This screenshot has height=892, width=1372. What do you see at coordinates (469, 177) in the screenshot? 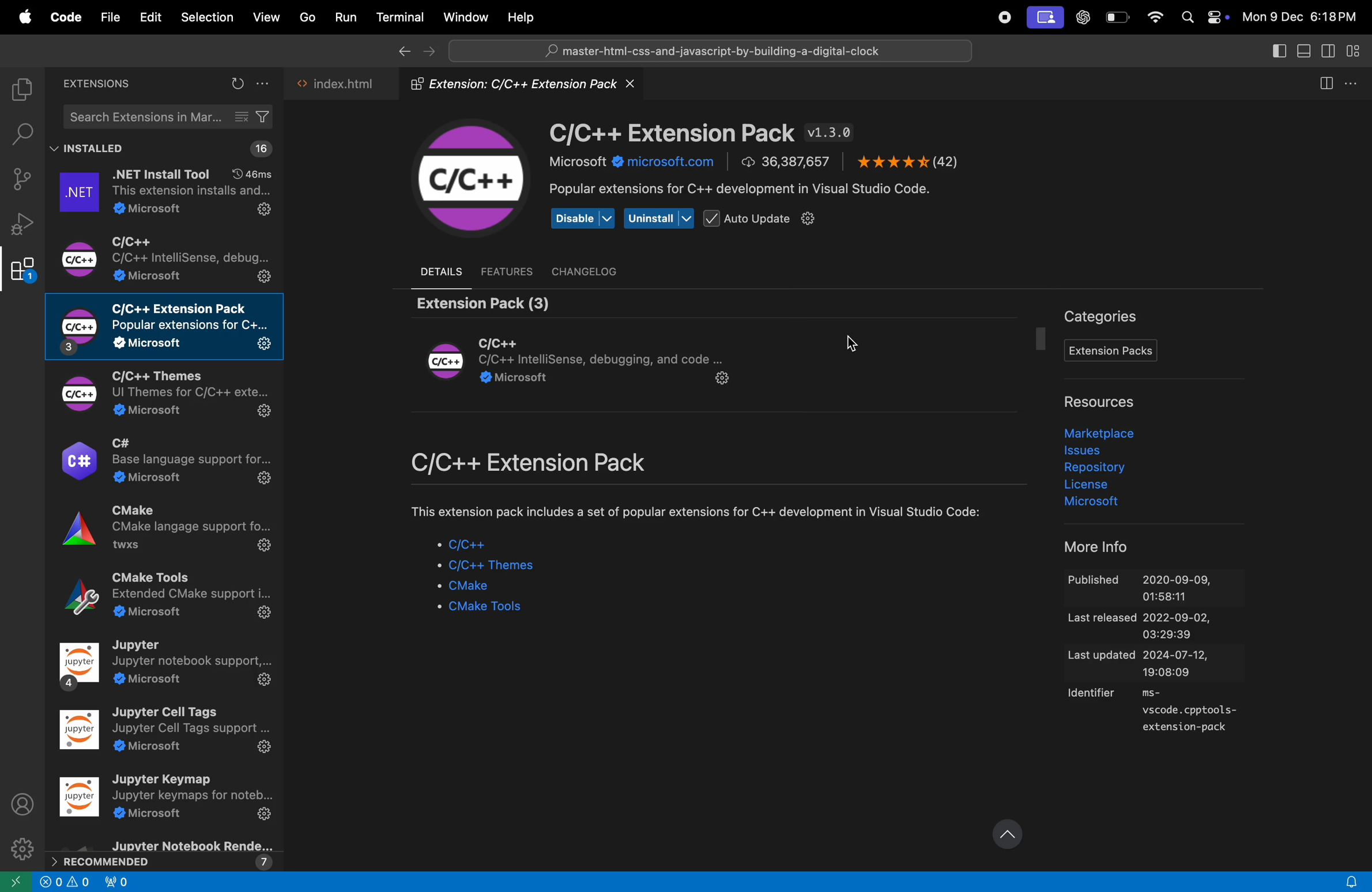
I see `C/C++ ` at bounding box center [469, 177].